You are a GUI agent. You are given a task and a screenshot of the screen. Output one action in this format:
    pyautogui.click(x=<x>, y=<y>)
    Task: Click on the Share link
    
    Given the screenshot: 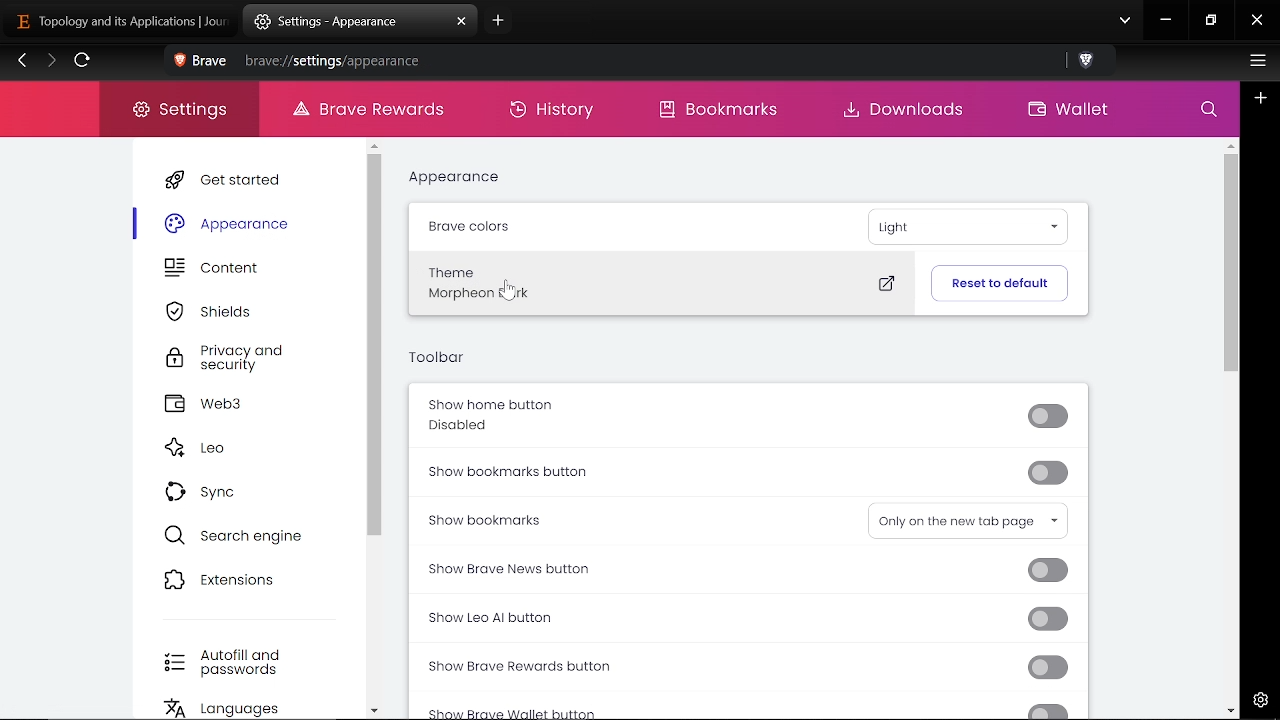 What is the action you would take?
    pyautogui.click(x=1050, y=62)
    